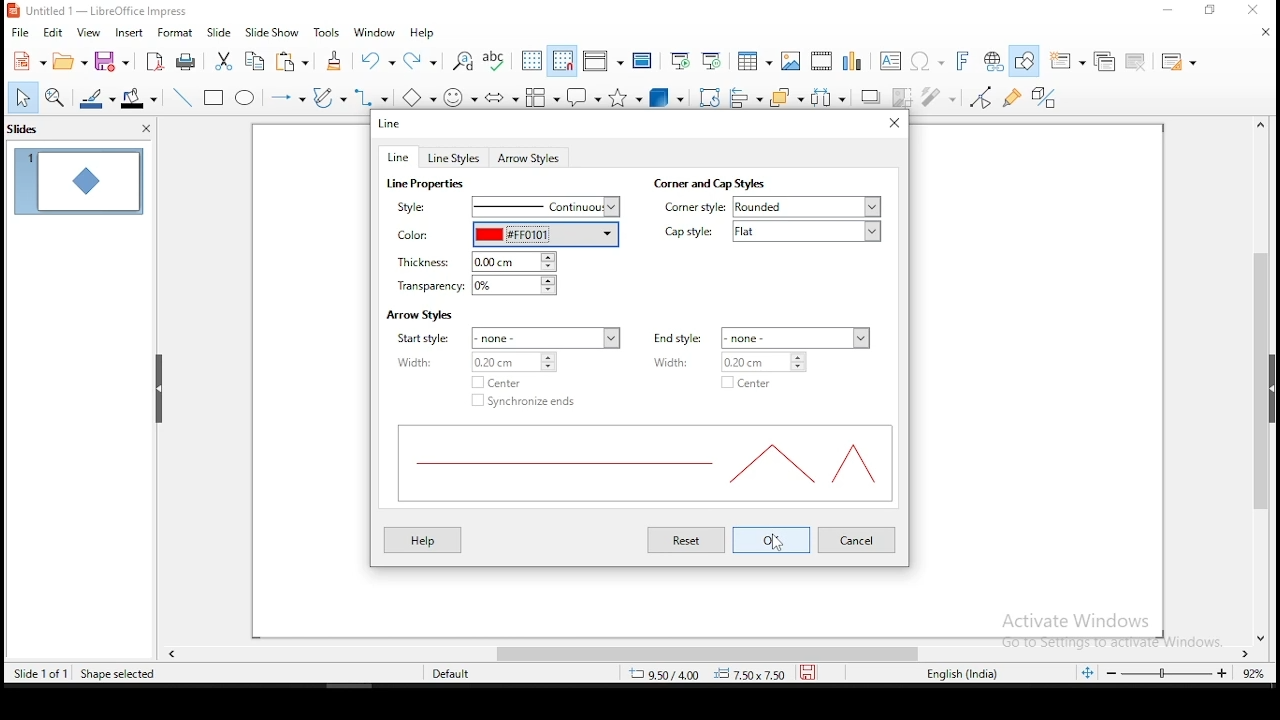  I want to click on continuous, so click(546, 207).